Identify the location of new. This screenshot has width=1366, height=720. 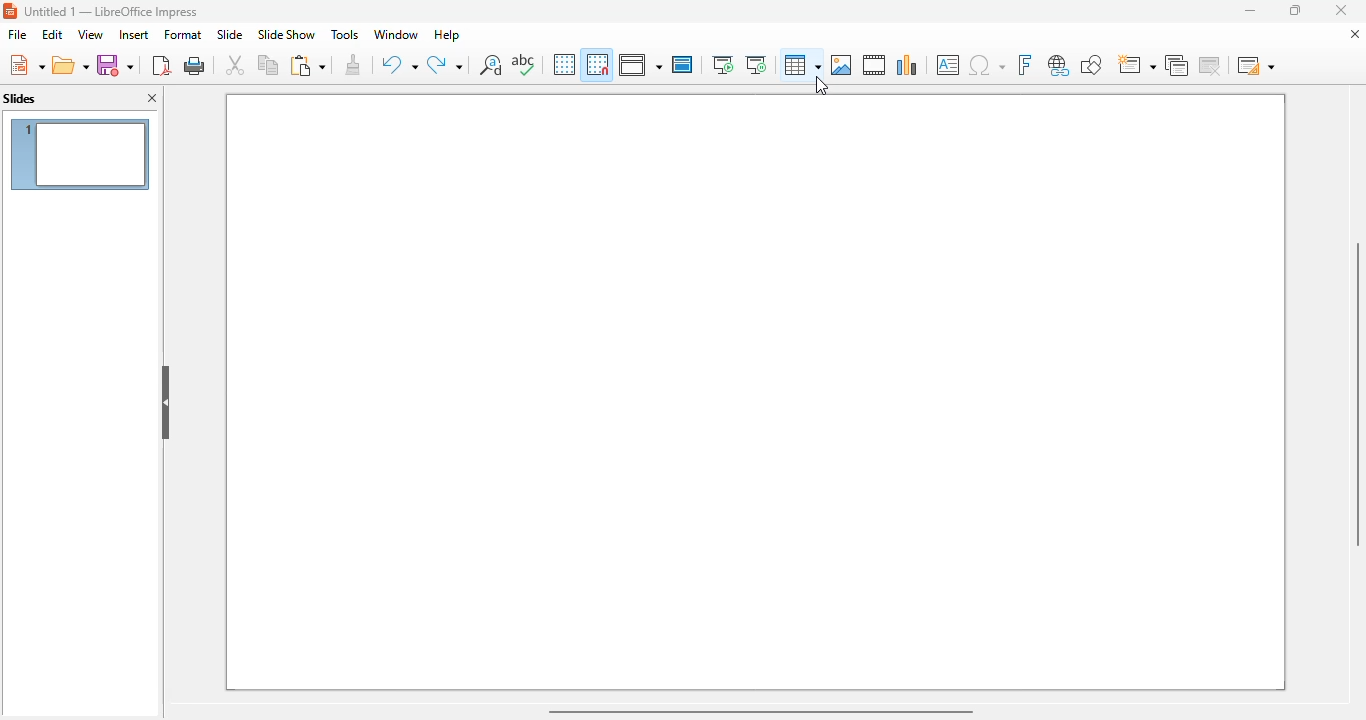
(26, 65).